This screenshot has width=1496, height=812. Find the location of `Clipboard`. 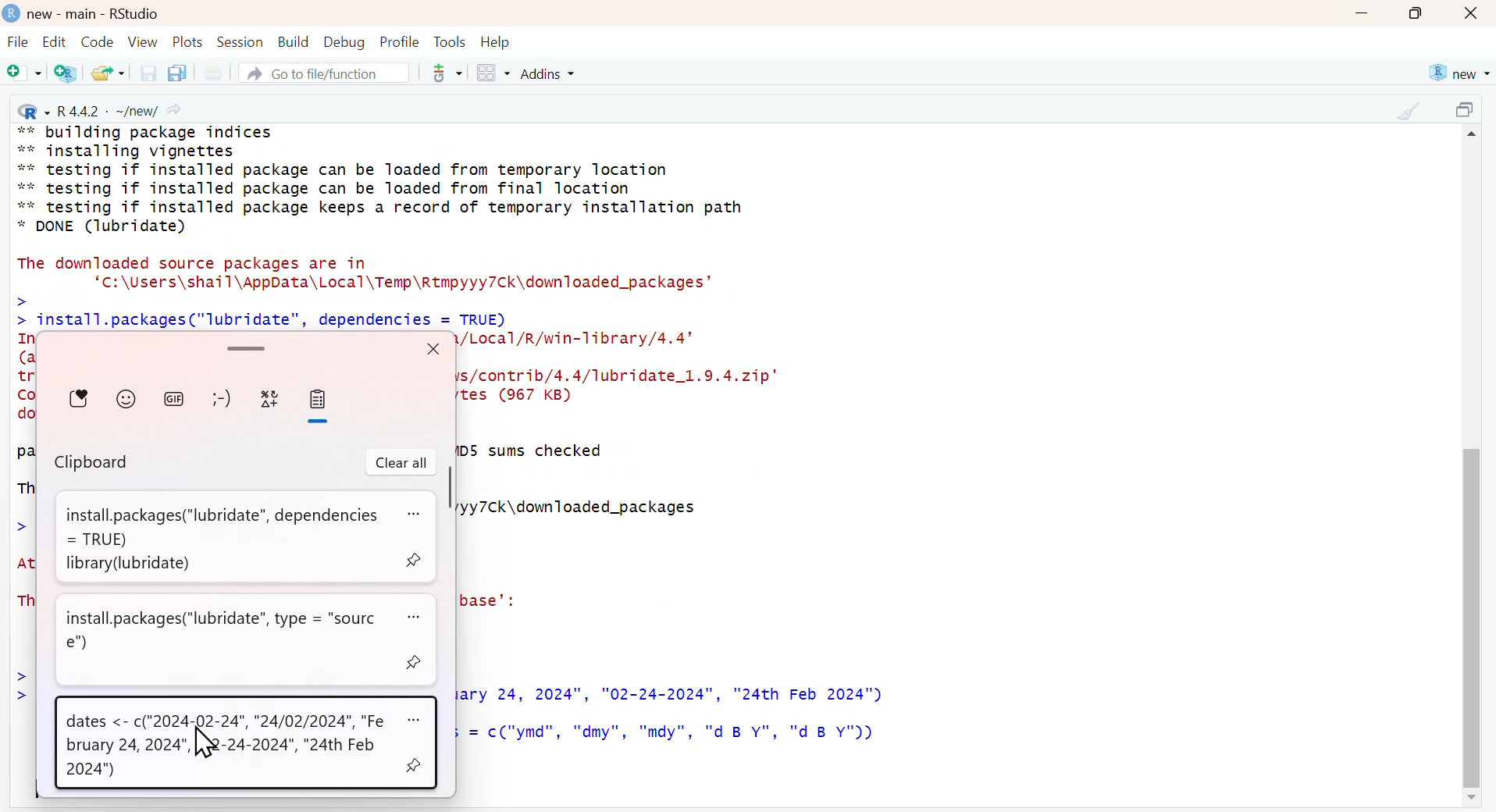

Clipboard is located at coordinates (93, 464).